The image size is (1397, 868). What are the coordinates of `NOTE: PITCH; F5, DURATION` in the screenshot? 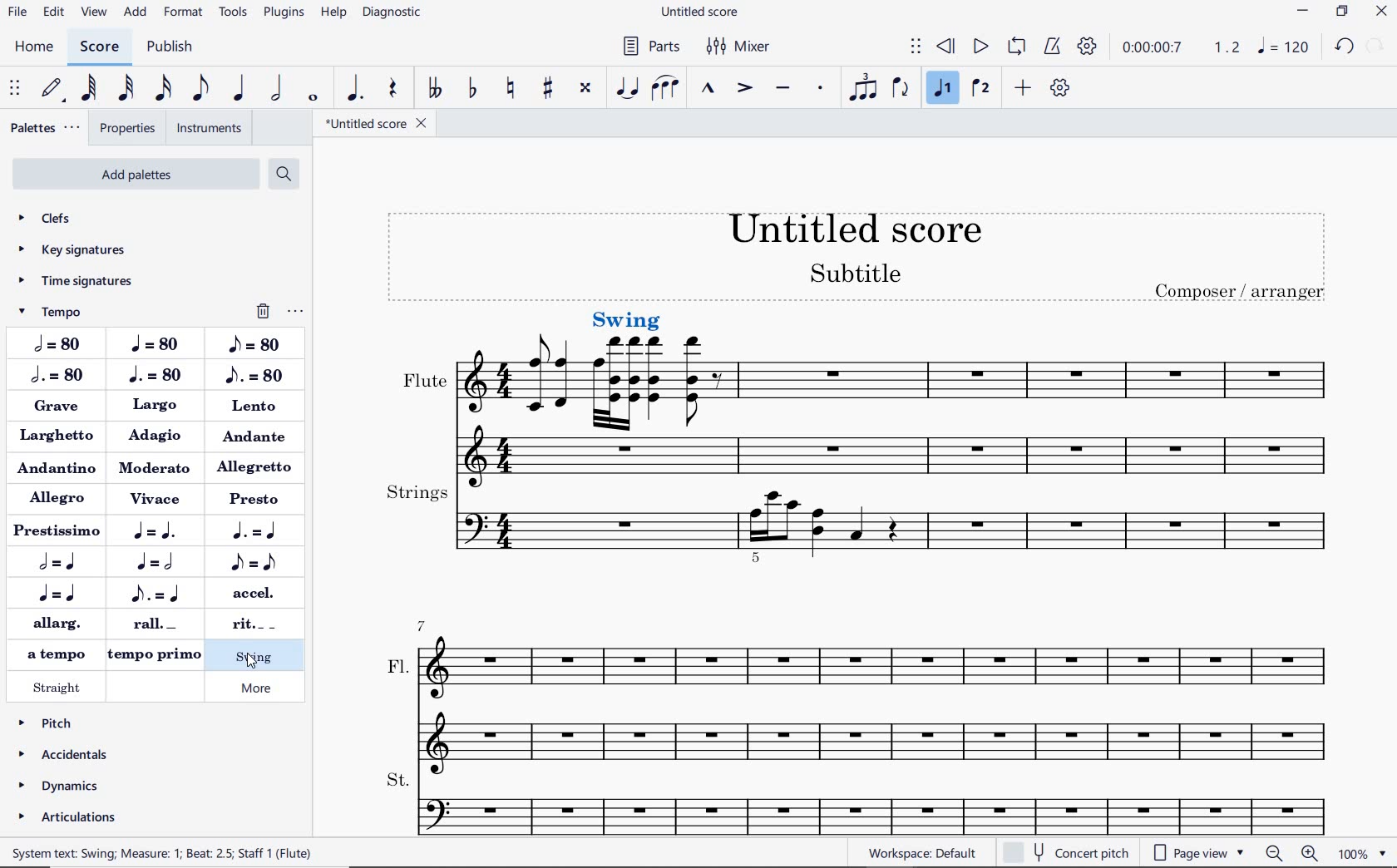 It's located at (228, 854).